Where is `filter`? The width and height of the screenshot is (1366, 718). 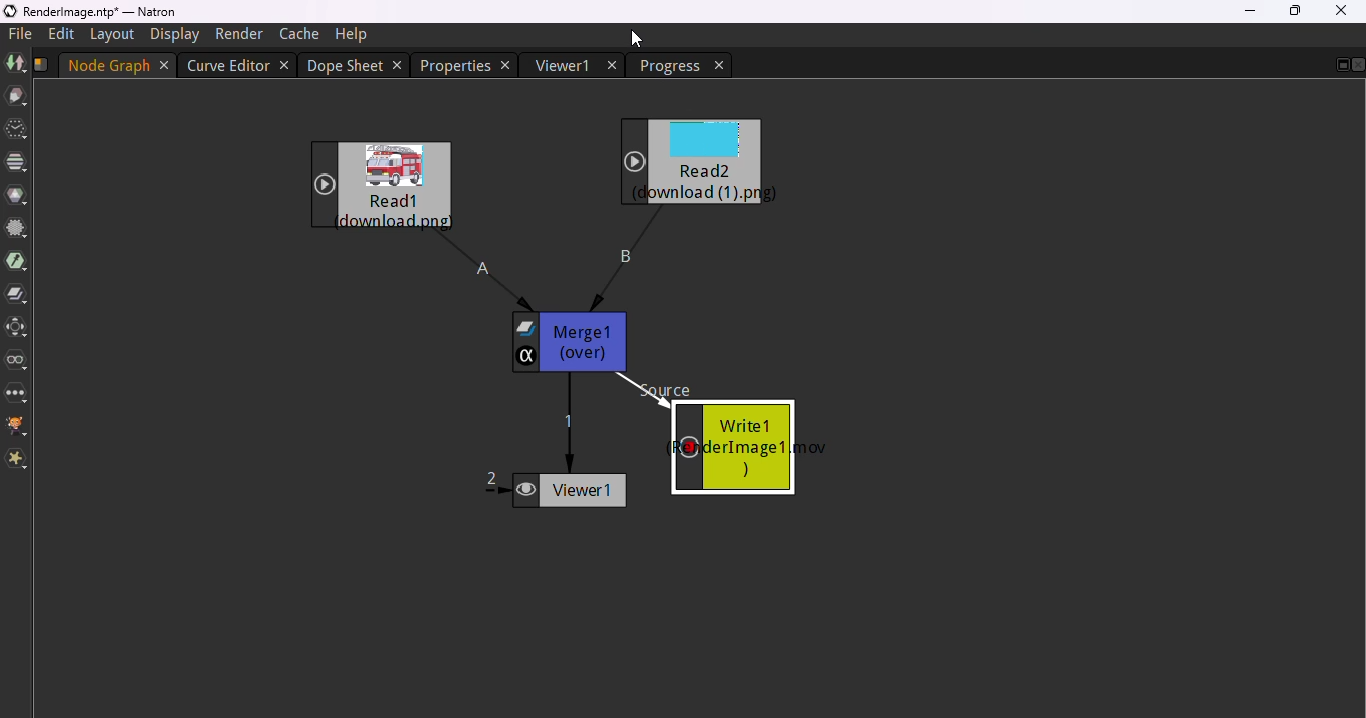 filter is located at coordinates (17, 228).